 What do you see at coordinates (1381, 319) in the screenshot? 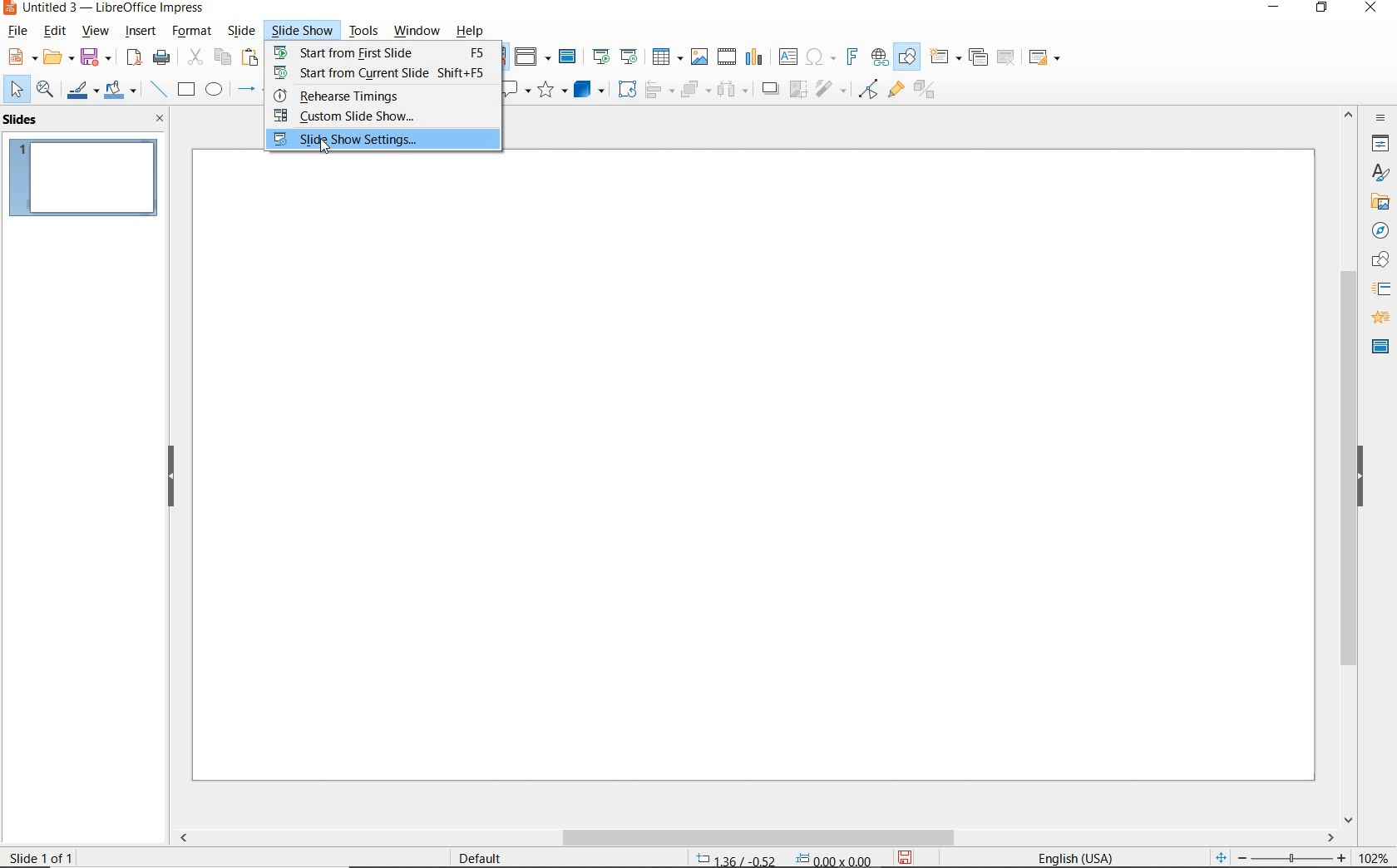
I see `ANIMATION` at bounding box center [1381, 319].